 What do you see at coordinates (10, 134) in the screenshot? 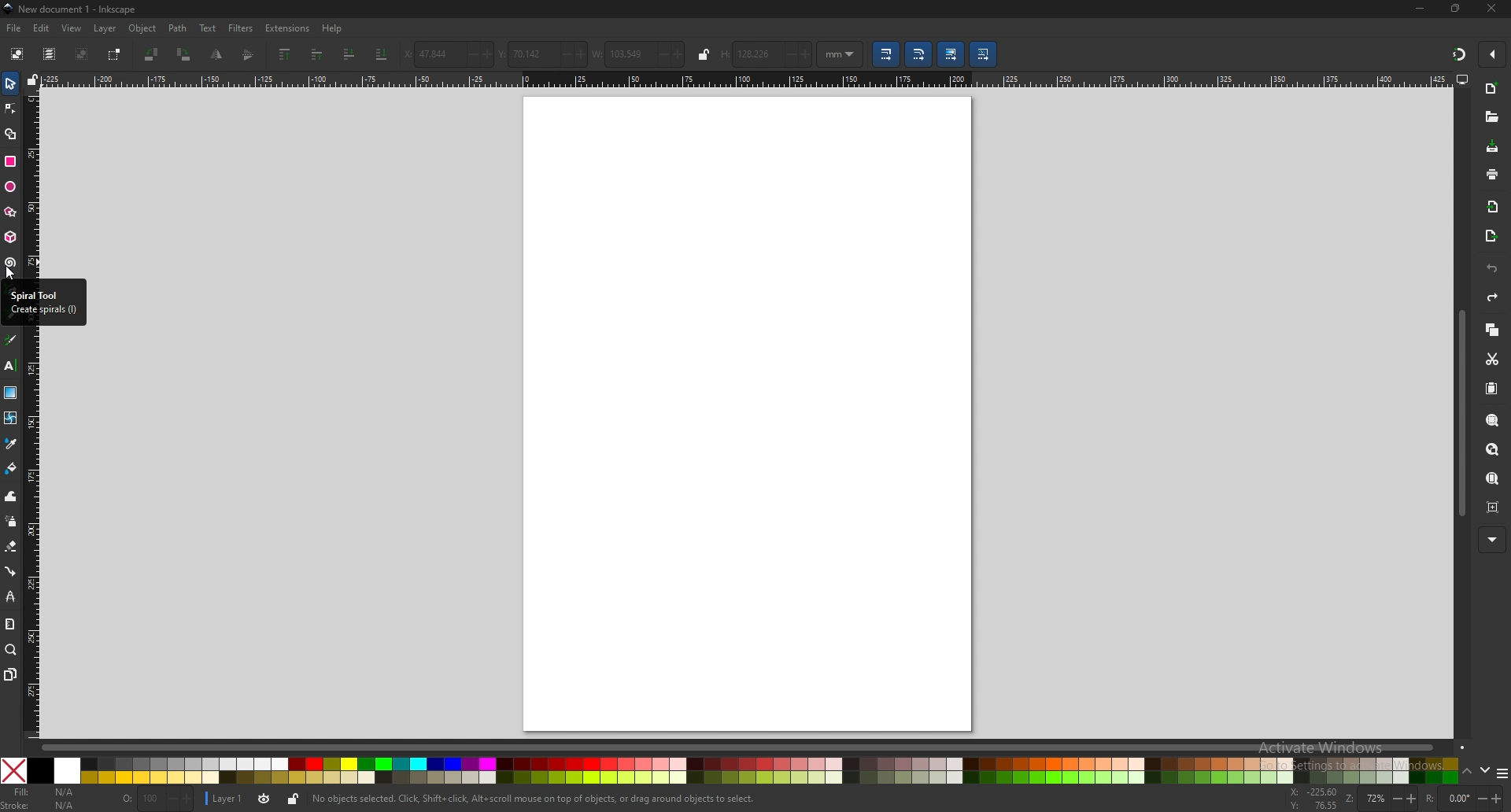
I see `shape builder` at bounding box center [10, 134].